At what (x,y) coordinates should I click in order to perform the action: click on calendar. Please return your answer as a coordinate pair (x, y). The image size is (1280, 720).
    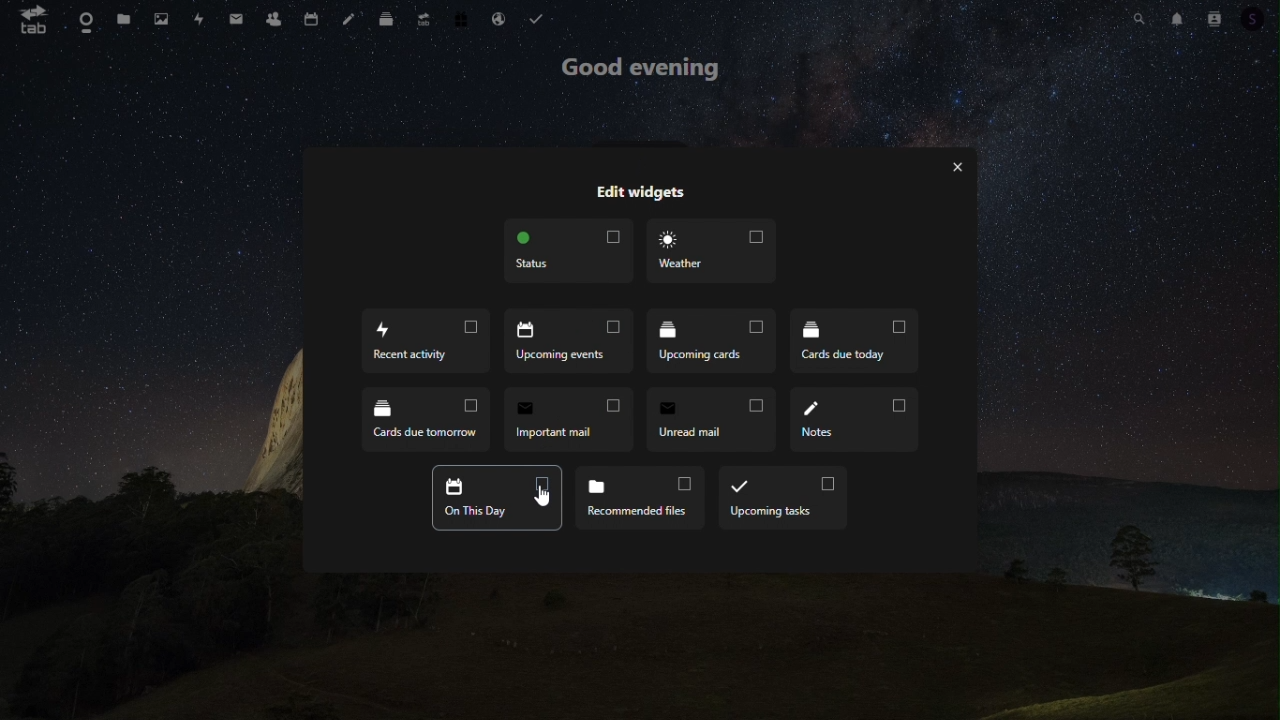
    Looking at the image, I should click on (313, 17).